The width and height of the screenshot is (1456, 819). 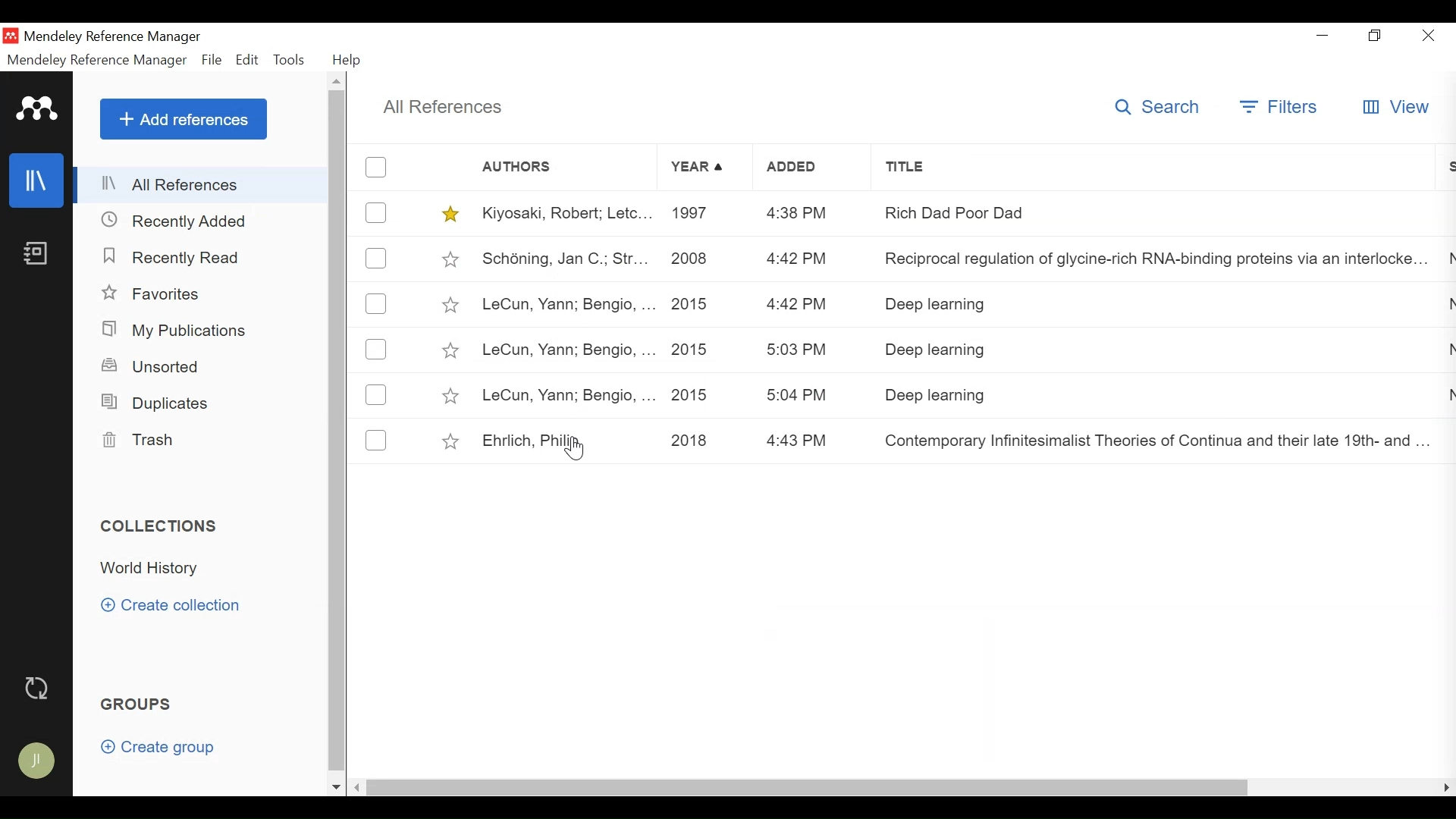 I want to click on Ehrlich, Philify,, so click(x=566, y=440).